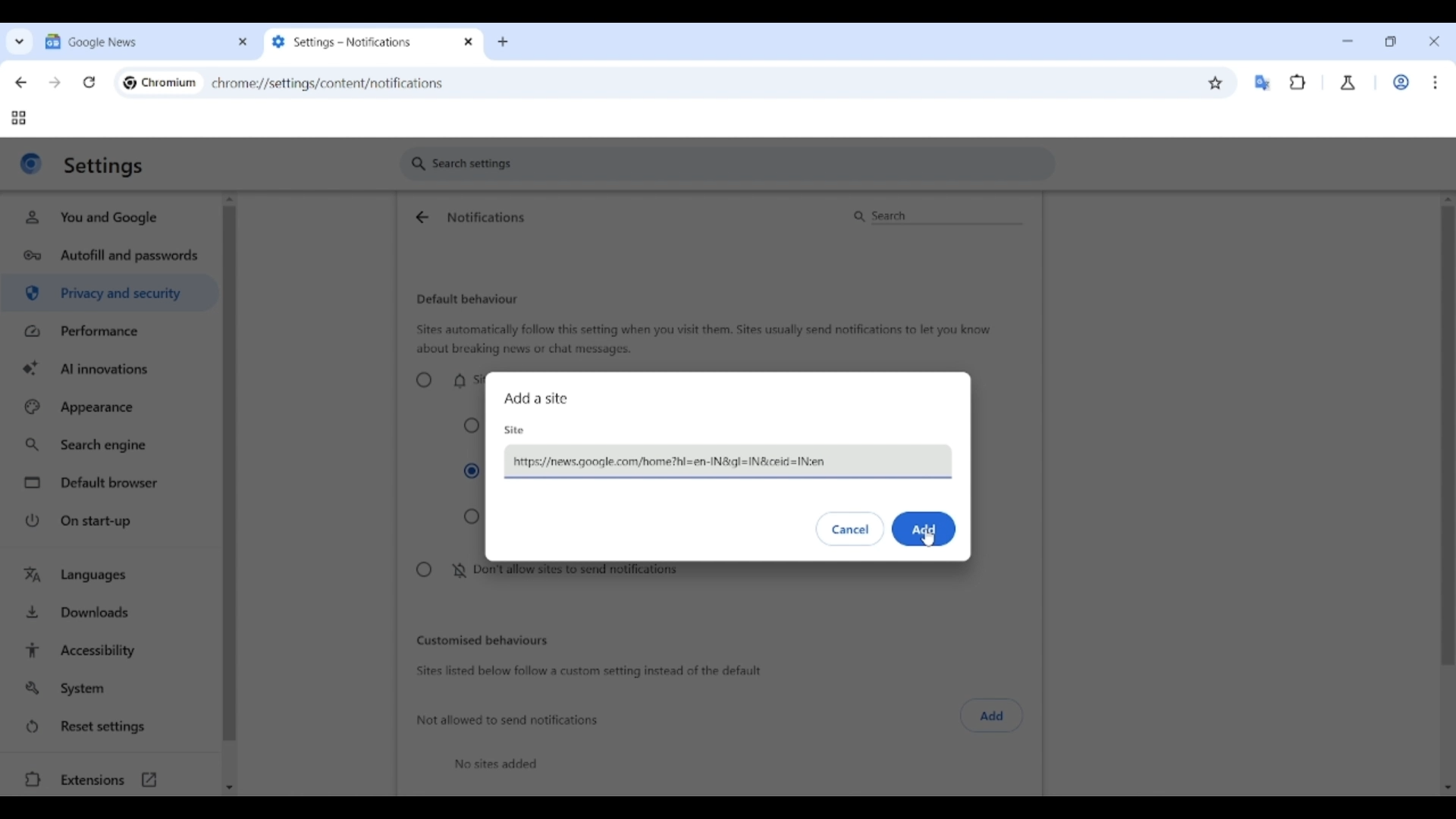 This screenshot has width=1456, height=819. What do you see at coordinates (447, 380) in the screenshot?
I see `Sites can ask to send notifications` at bounding box center [447, 380].